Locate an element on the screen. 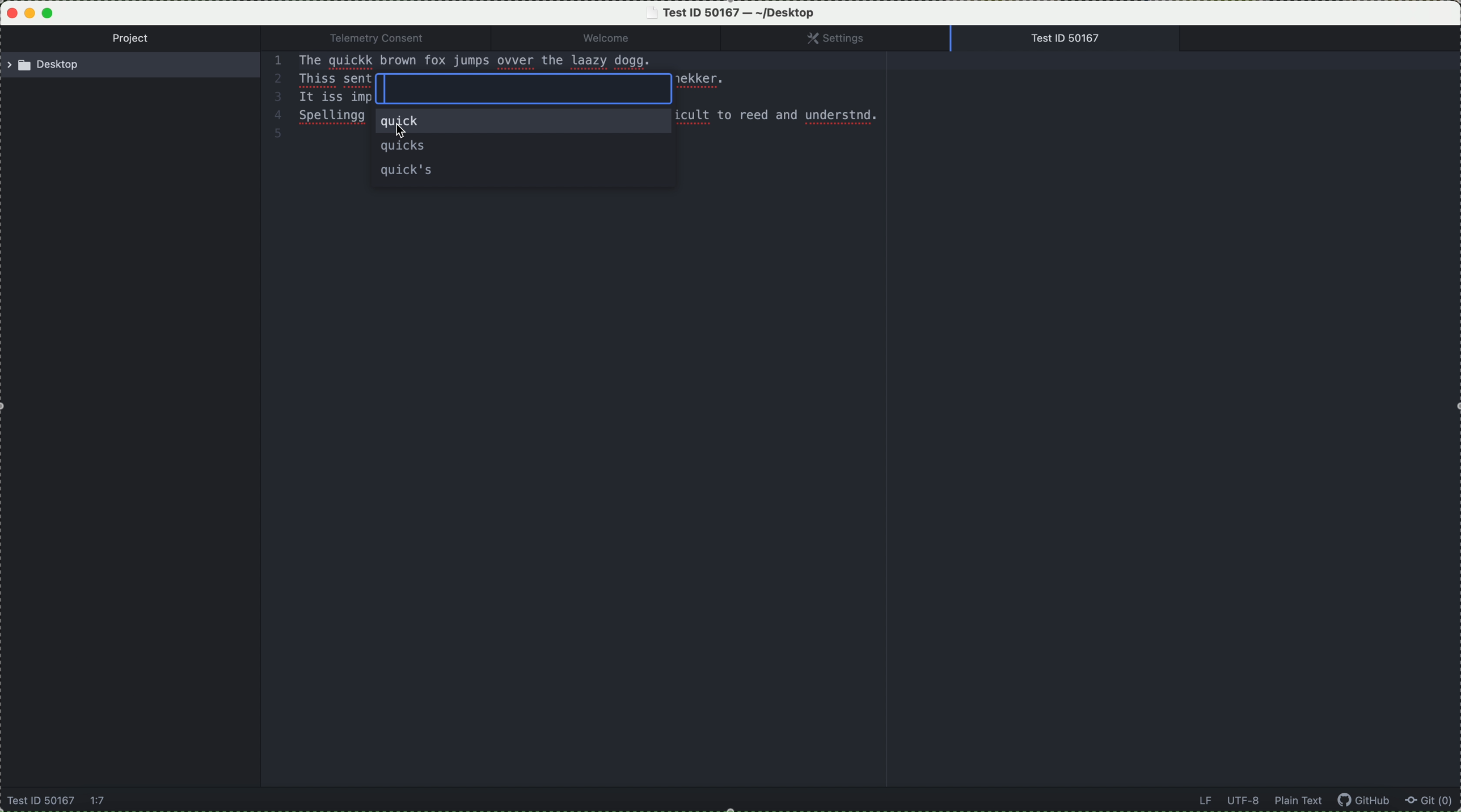  desktop location is located at coordinates (134, 67).